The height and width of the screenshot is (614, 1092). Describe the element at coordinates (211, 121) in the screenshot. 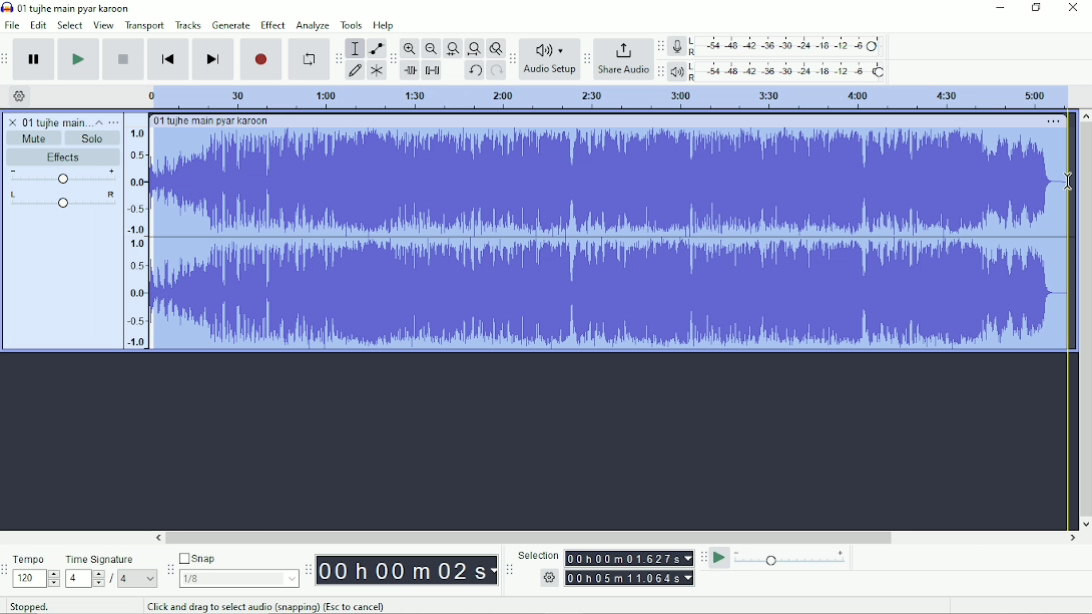

I see `01 tujhy main pyar kroon` at that location.